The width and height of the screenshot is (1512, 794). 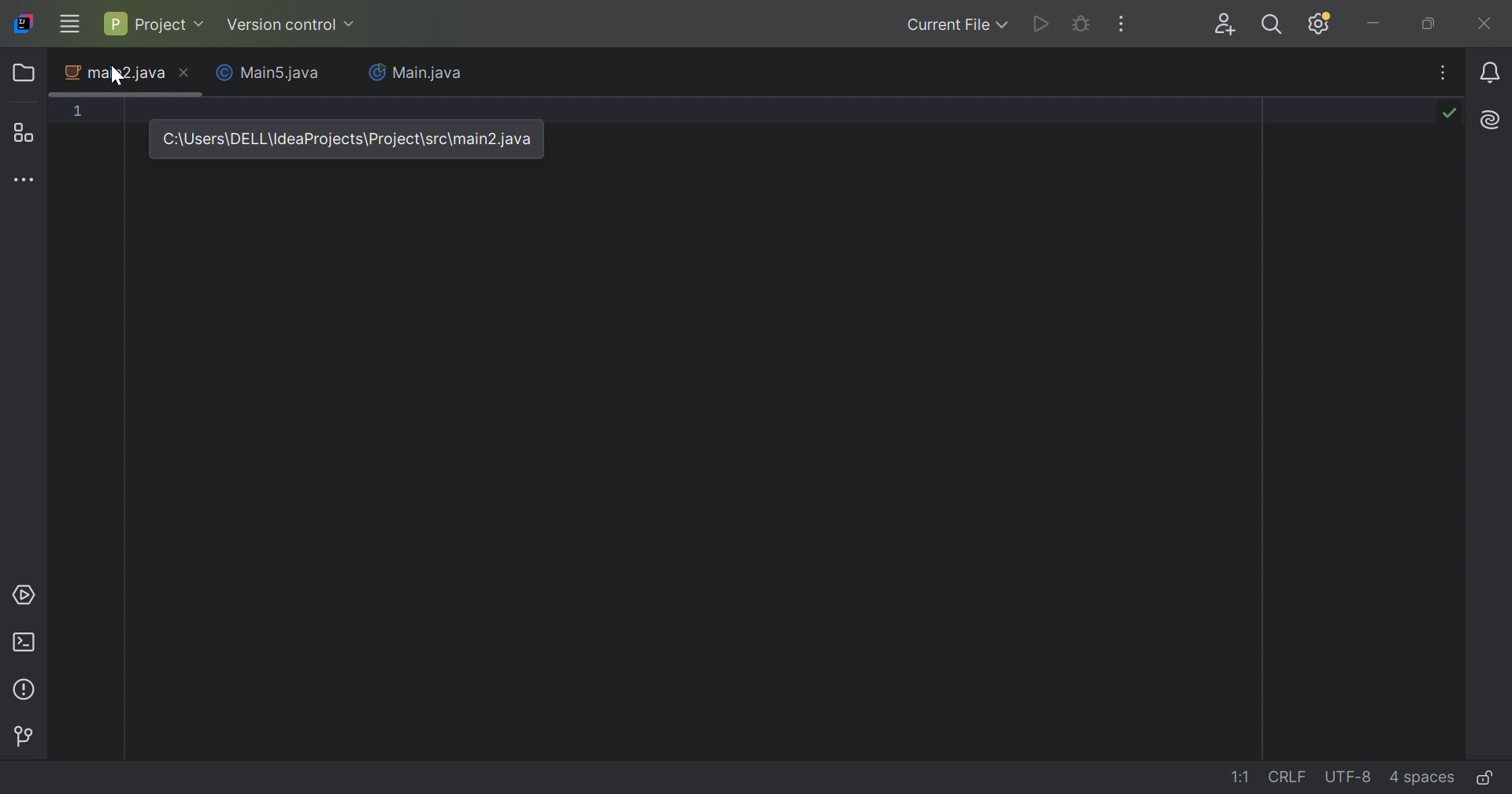 What do you see at coordinates (416, 74) in the screenshot?
I see `Main.java` at bounding box center [416, 74].